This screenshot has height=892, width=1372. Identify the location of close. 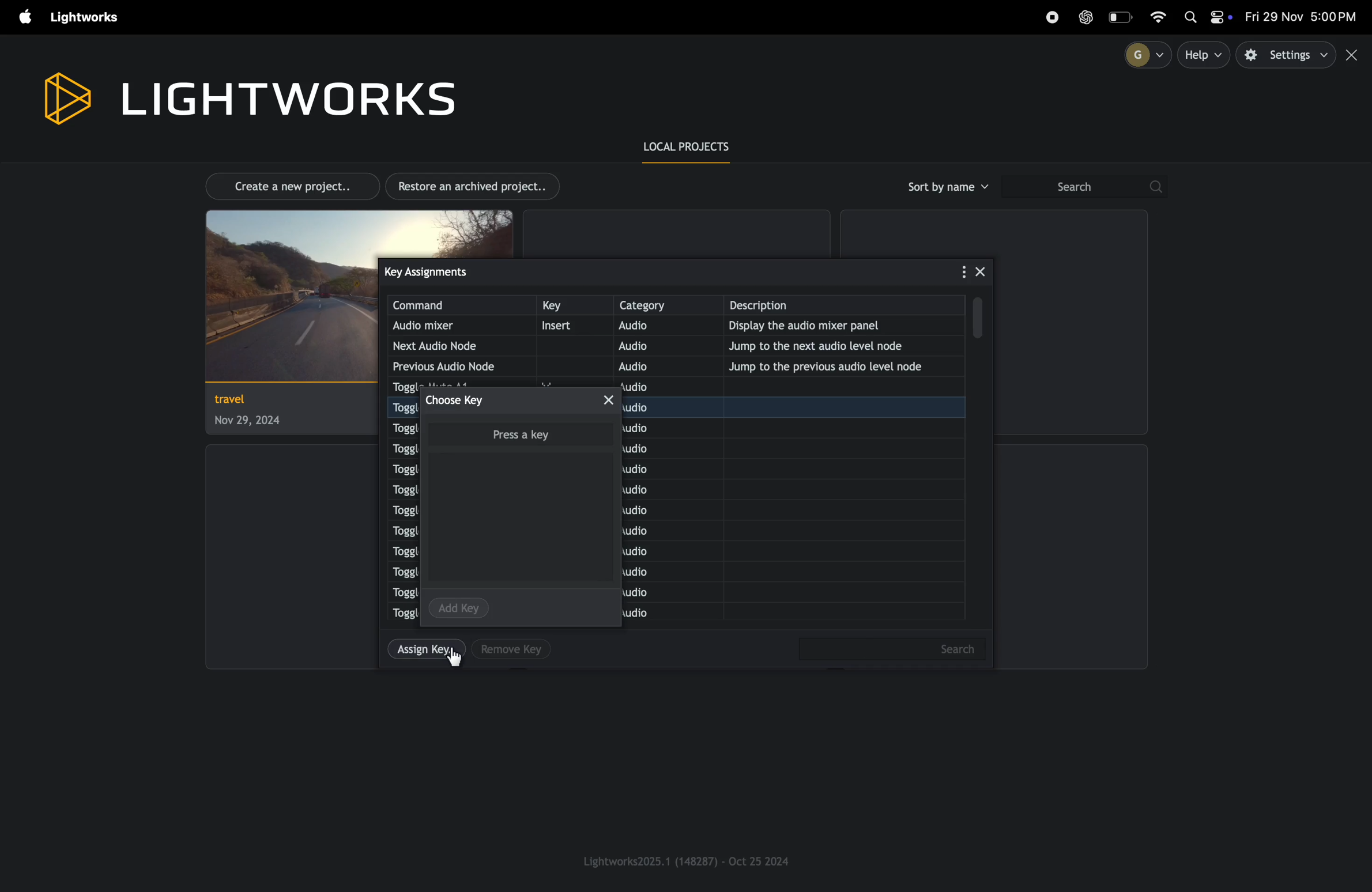
(617, 402).